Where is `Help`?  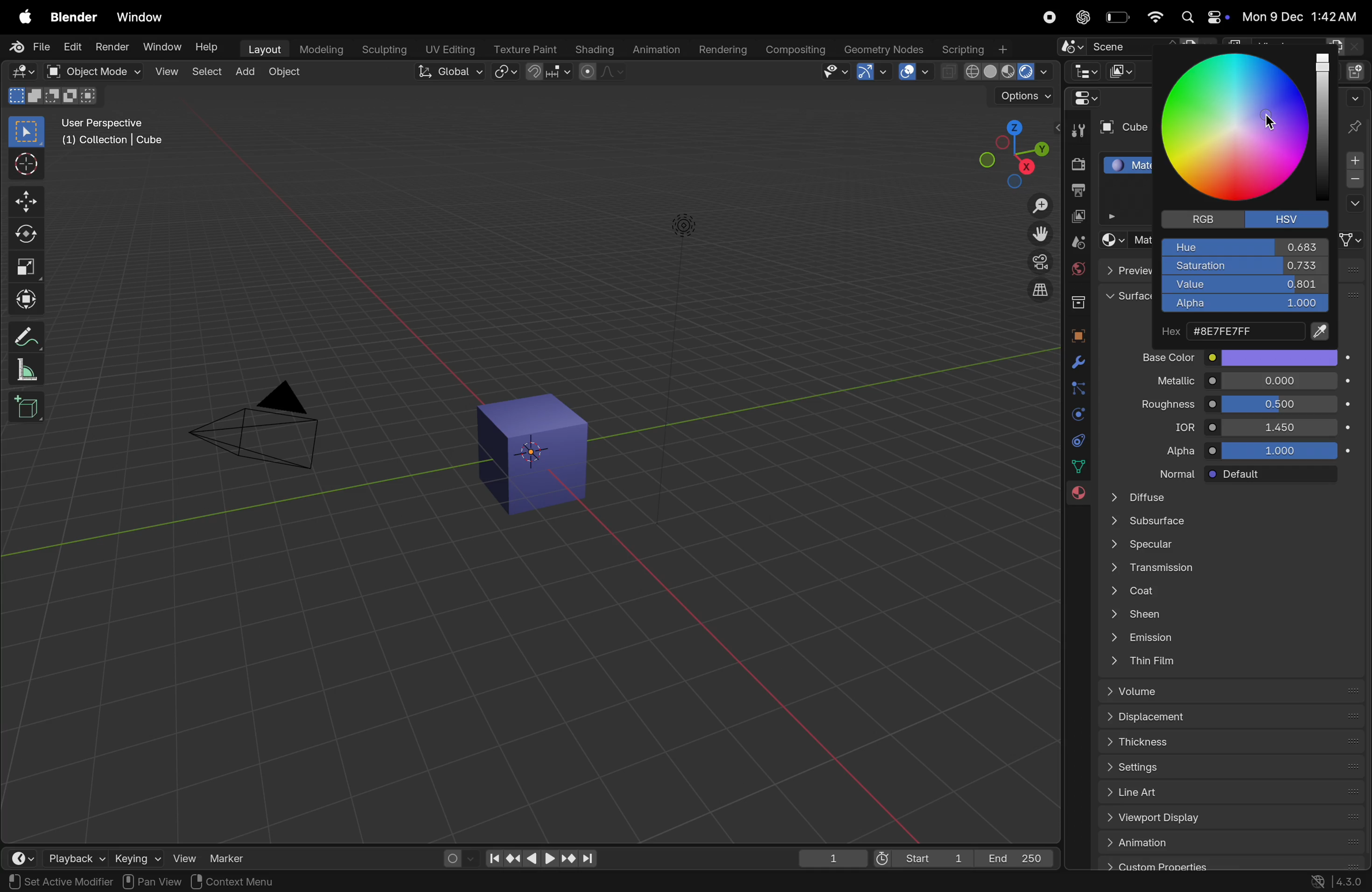
Help is located at coordinates (208, 46).